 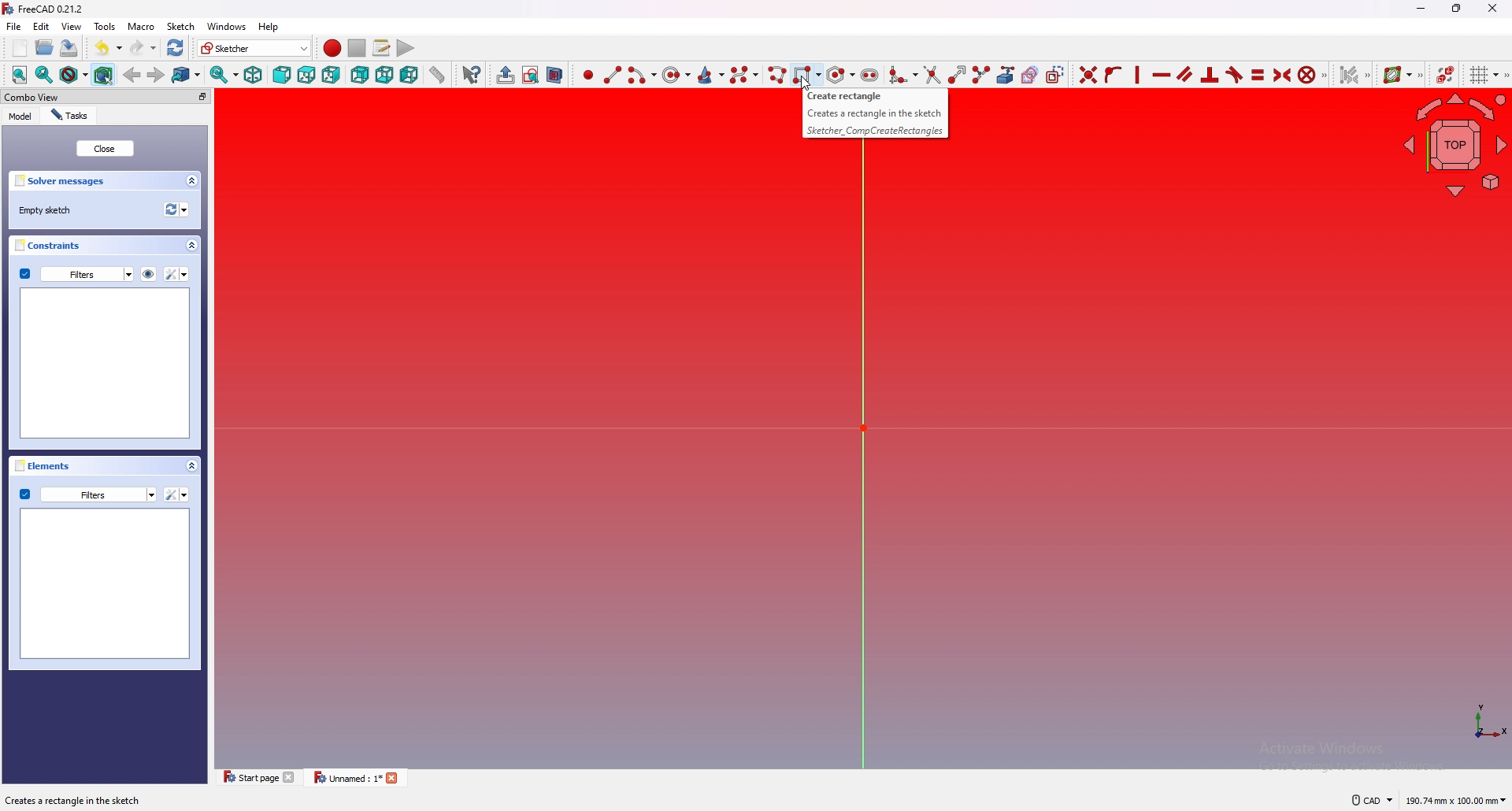 I want to click on constraint symmetrical, so click(x=1283, y=76).